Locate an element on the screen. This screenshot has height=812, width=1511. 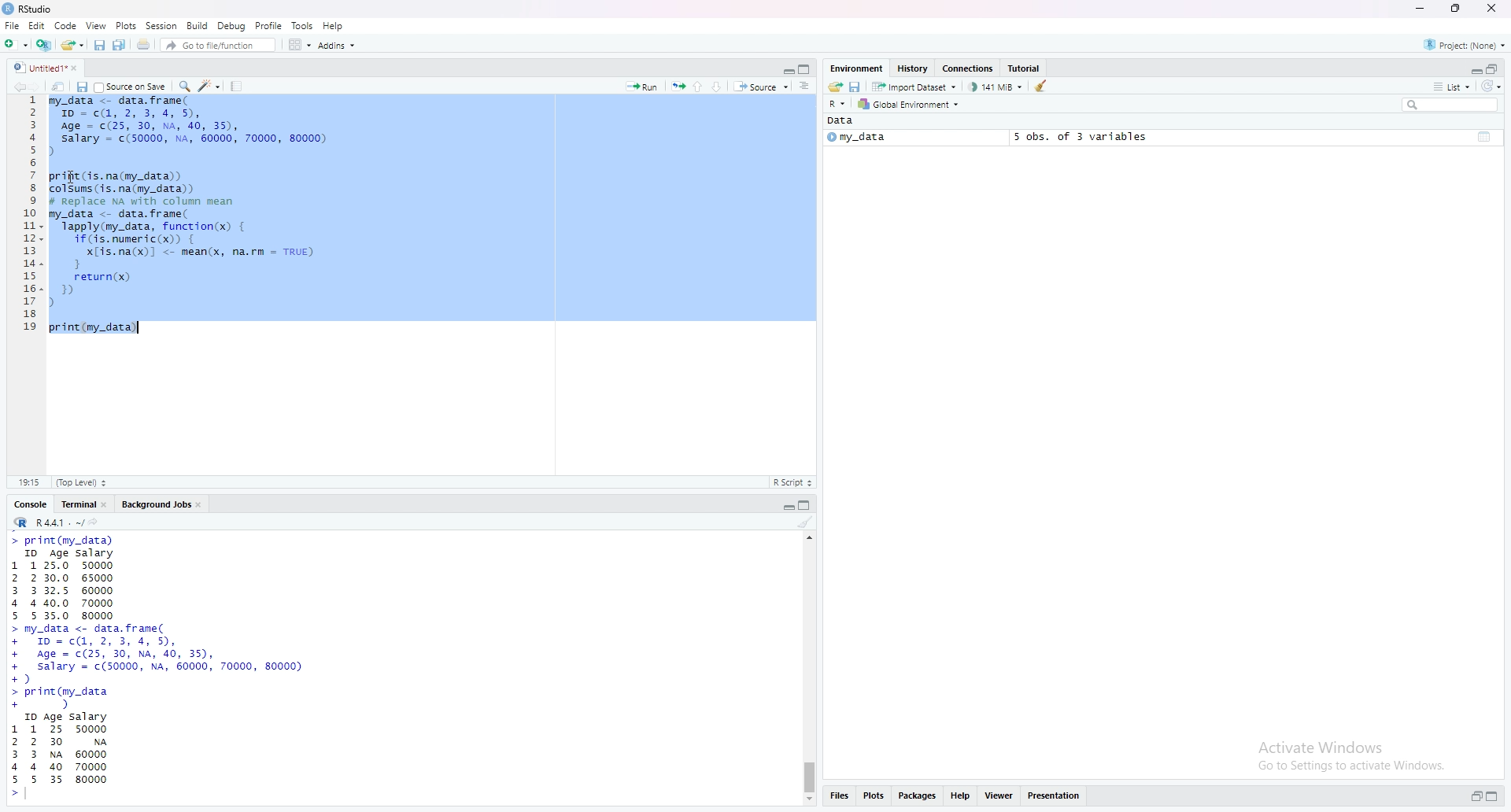
line numbers is located at coordinates (31, 215).